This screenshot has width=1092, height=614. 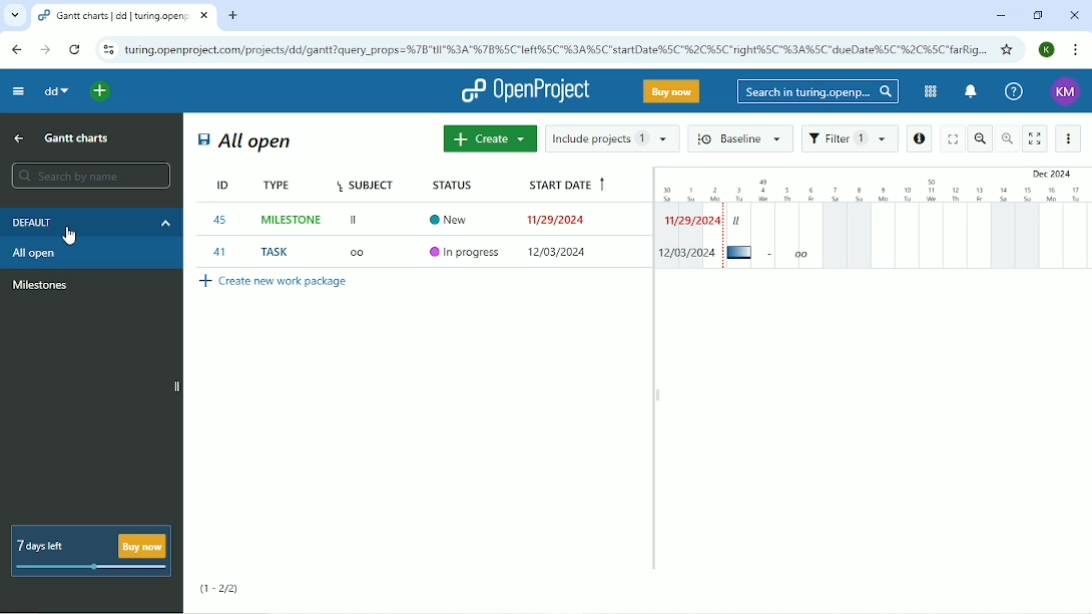 I want to click on More options, so click(x=1067, y=139).